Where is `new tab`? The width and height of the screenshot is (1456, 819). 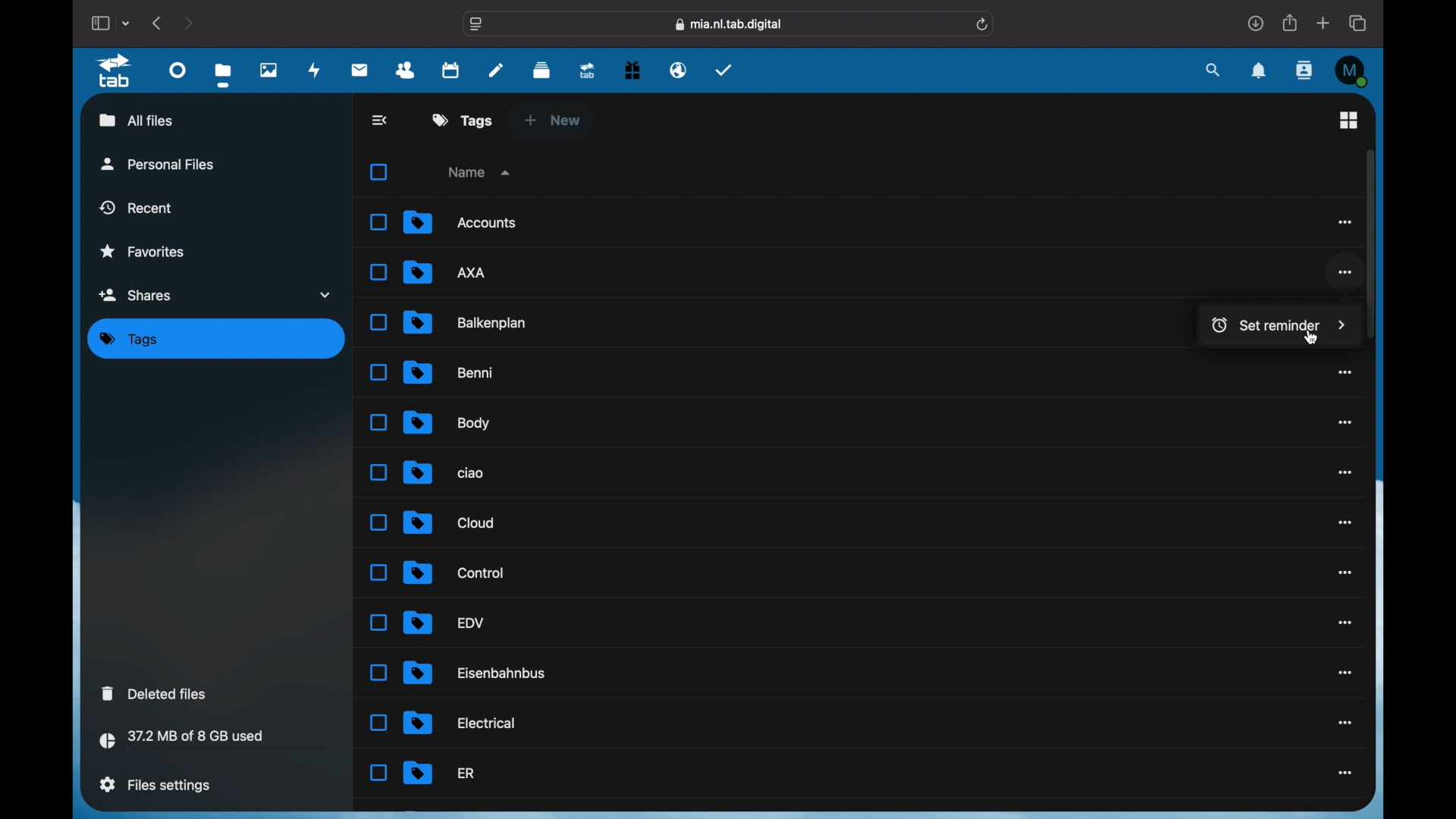 new tab is located at coordinates (1324, 24).